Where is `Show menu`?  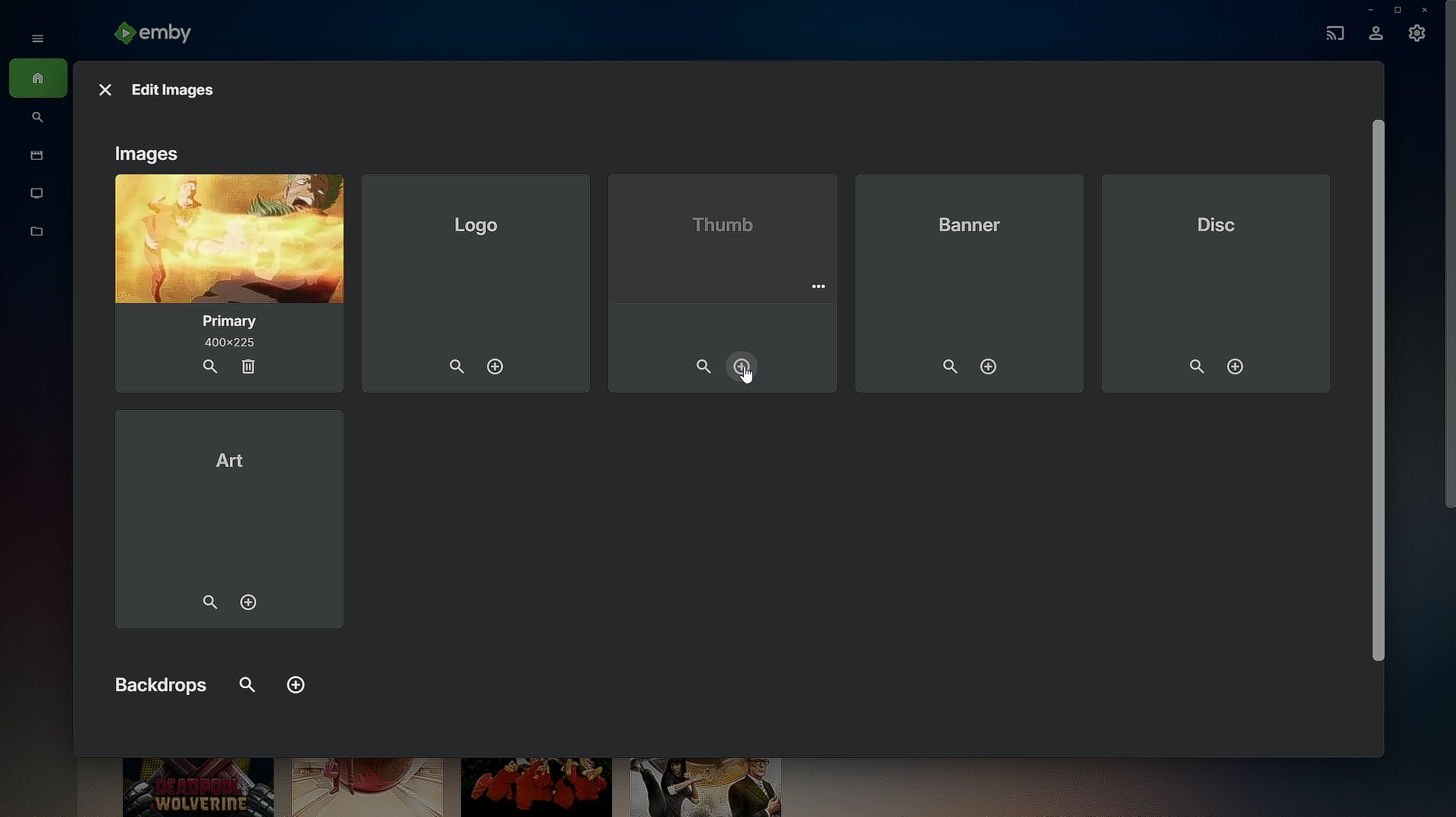
Show menu is located at coordinates (33, 37).